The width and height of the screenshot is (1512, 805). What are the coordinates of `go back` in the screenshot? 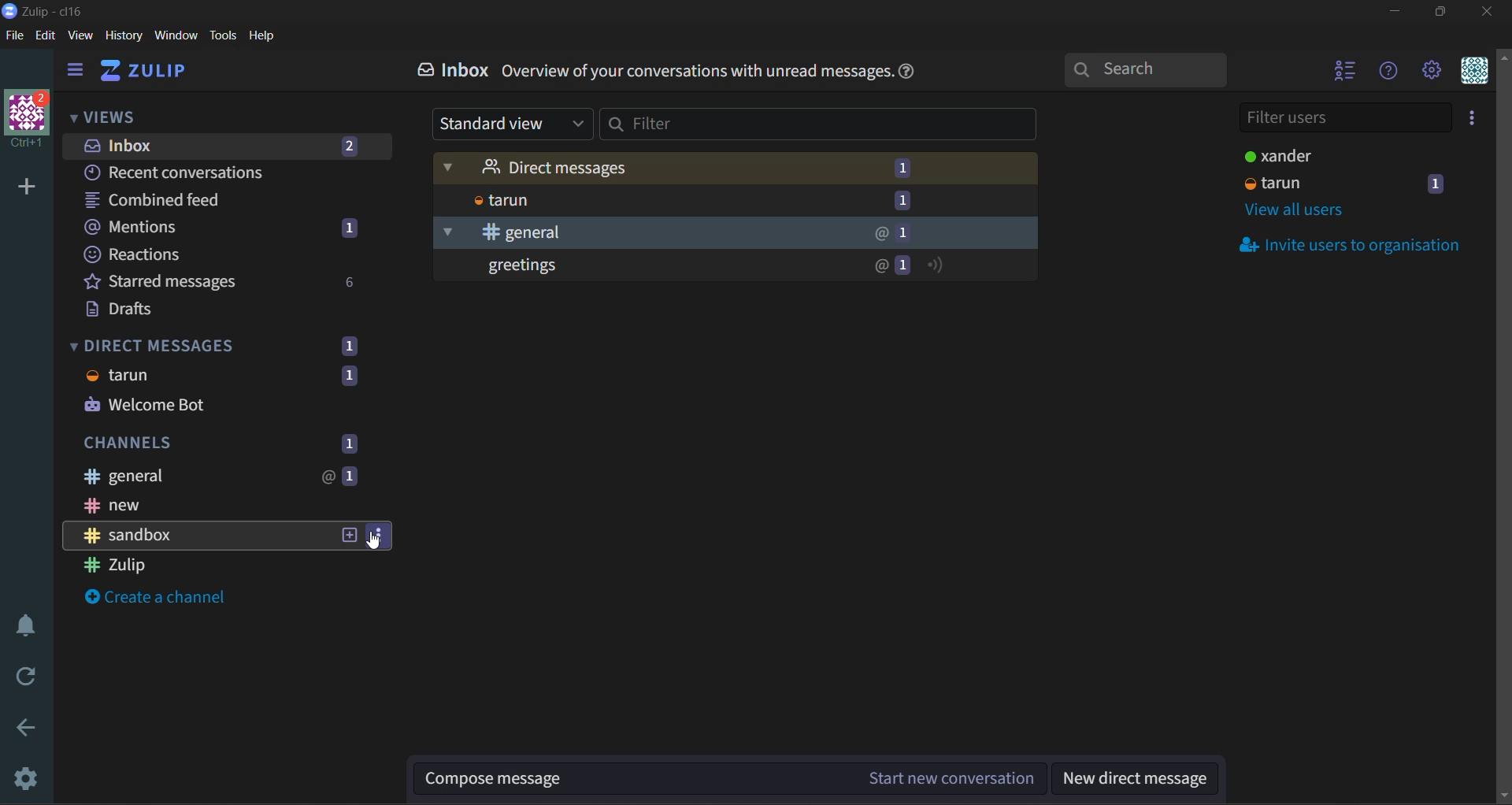 It's located at (24, 727).